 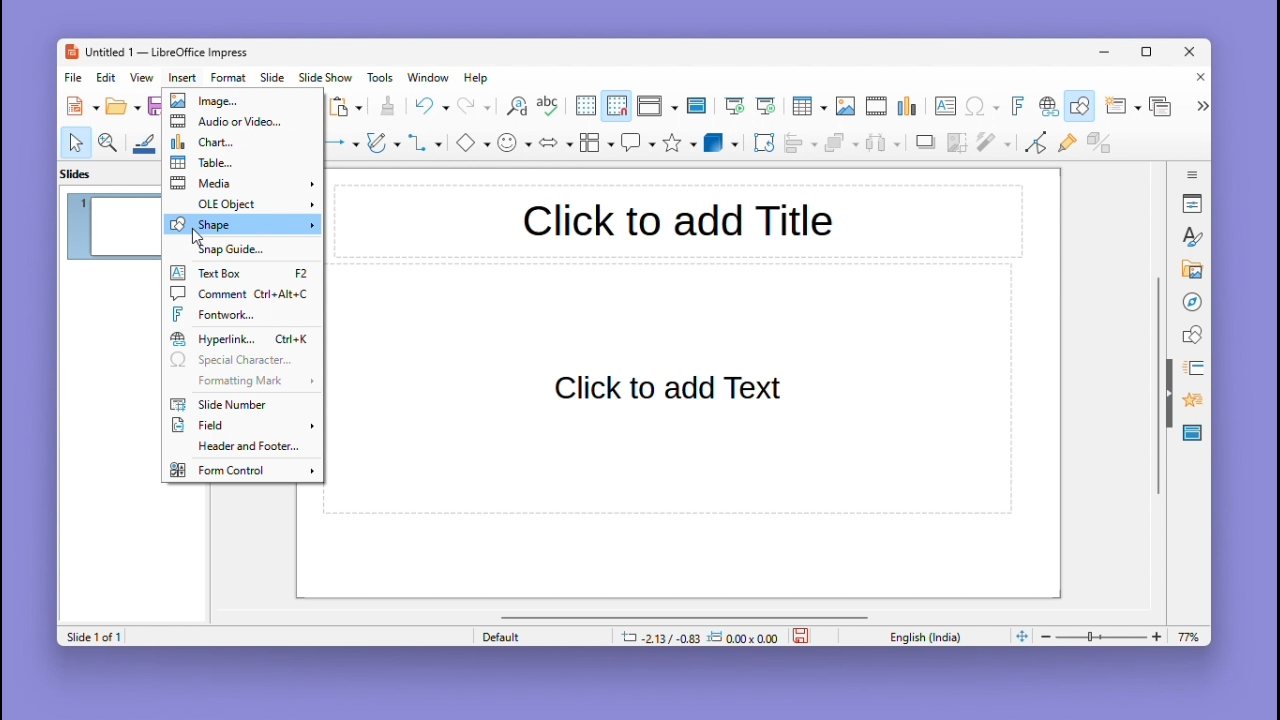 I want to click on Hyperlink for mat, so click(x=243, y=339).